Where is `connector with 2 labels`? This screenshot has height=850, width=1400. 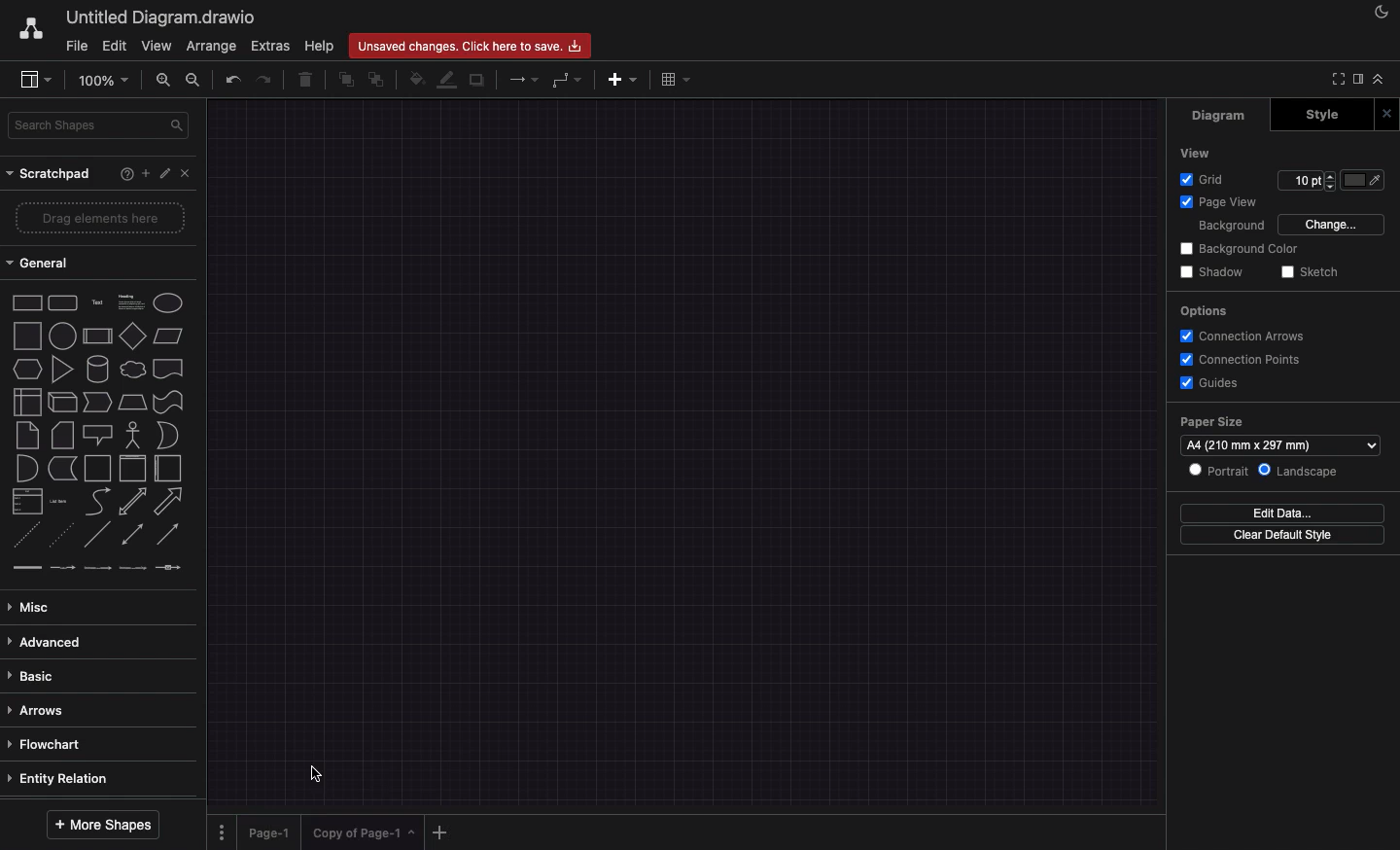
connector with 2 labels is located at coordinates (97, 567).